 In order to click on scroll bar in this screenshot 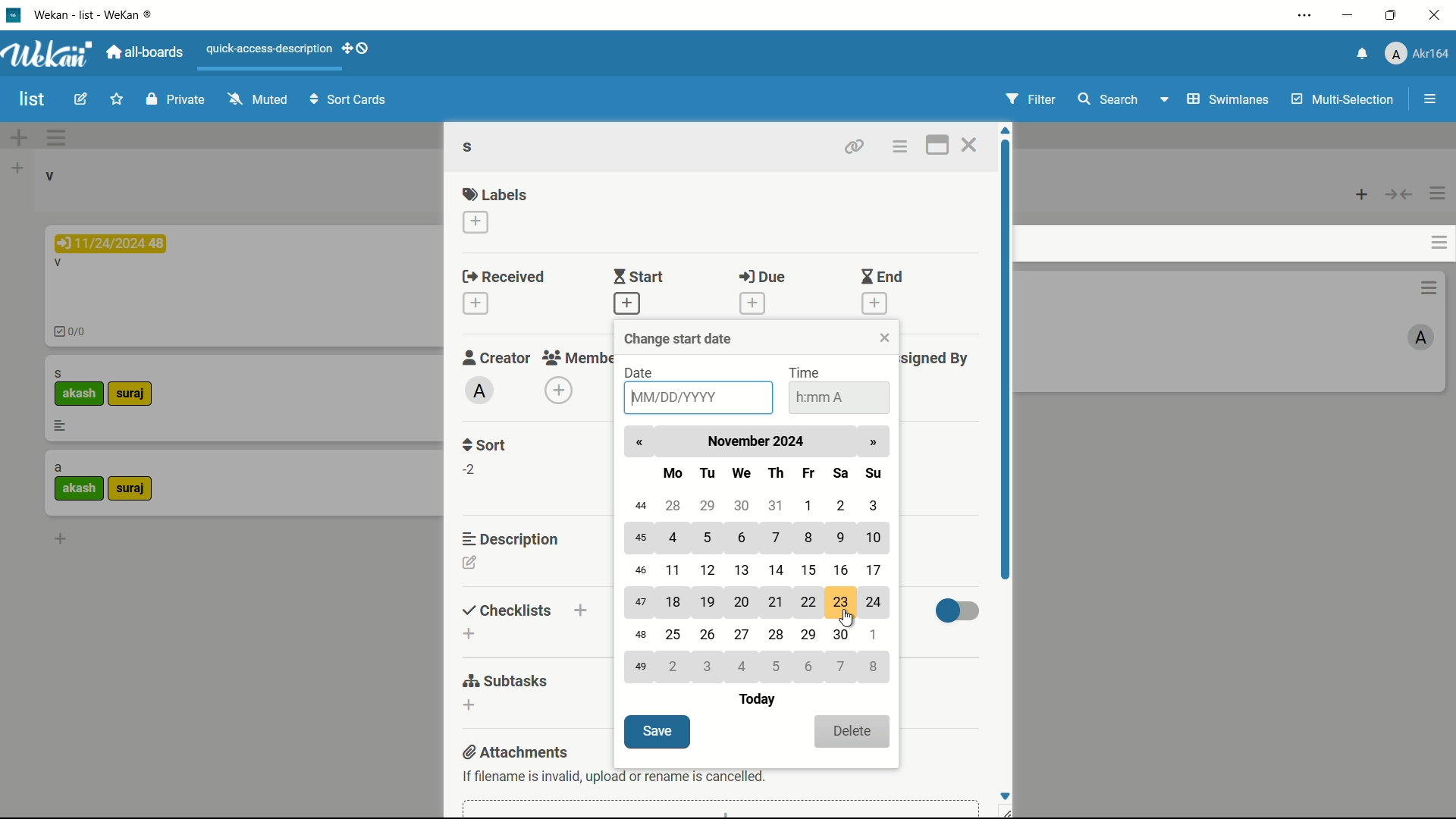, I will do `click(1005, 359)`.